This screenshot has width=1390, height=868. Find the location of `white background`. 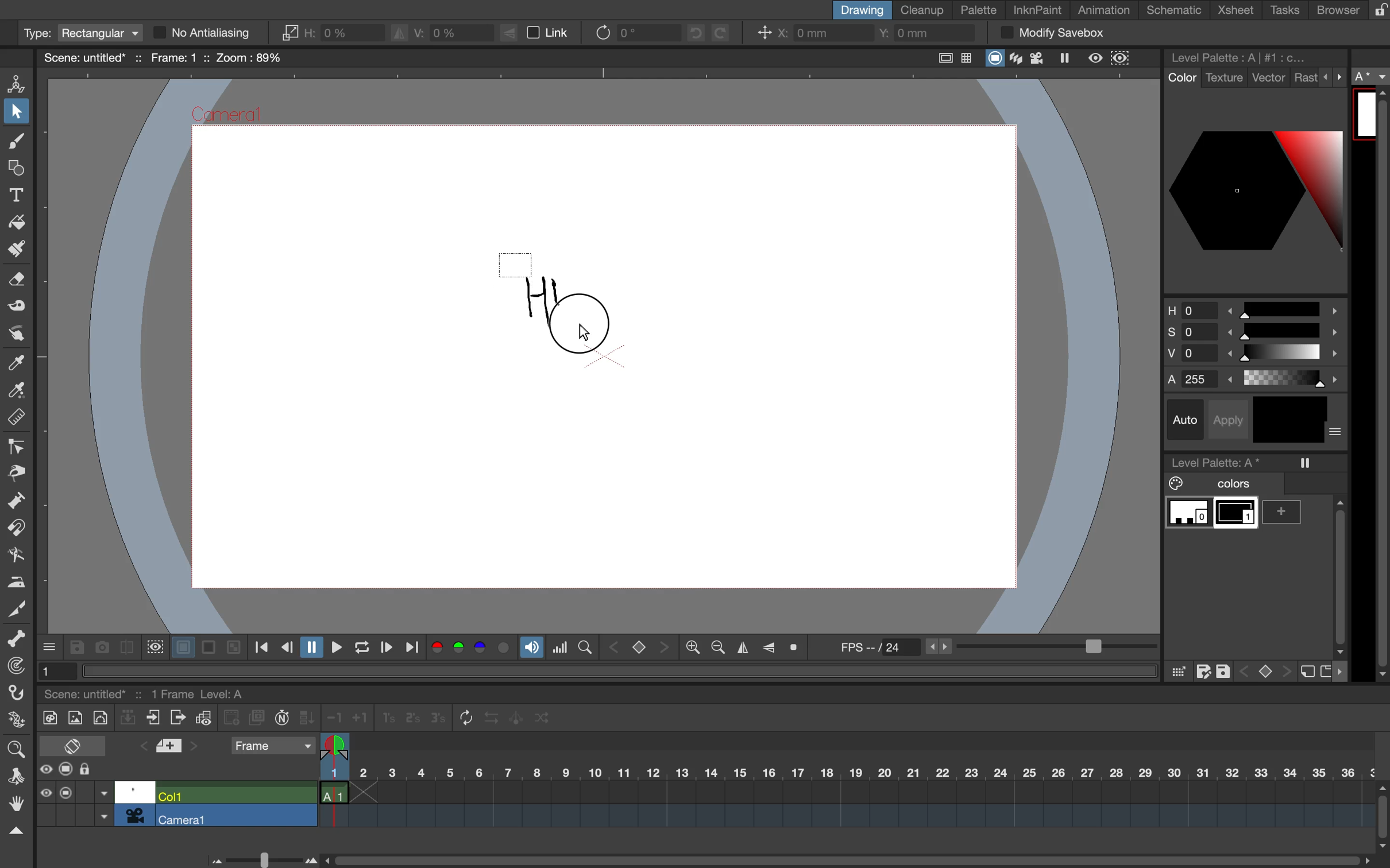

white background is located at coordinates (181, 645).